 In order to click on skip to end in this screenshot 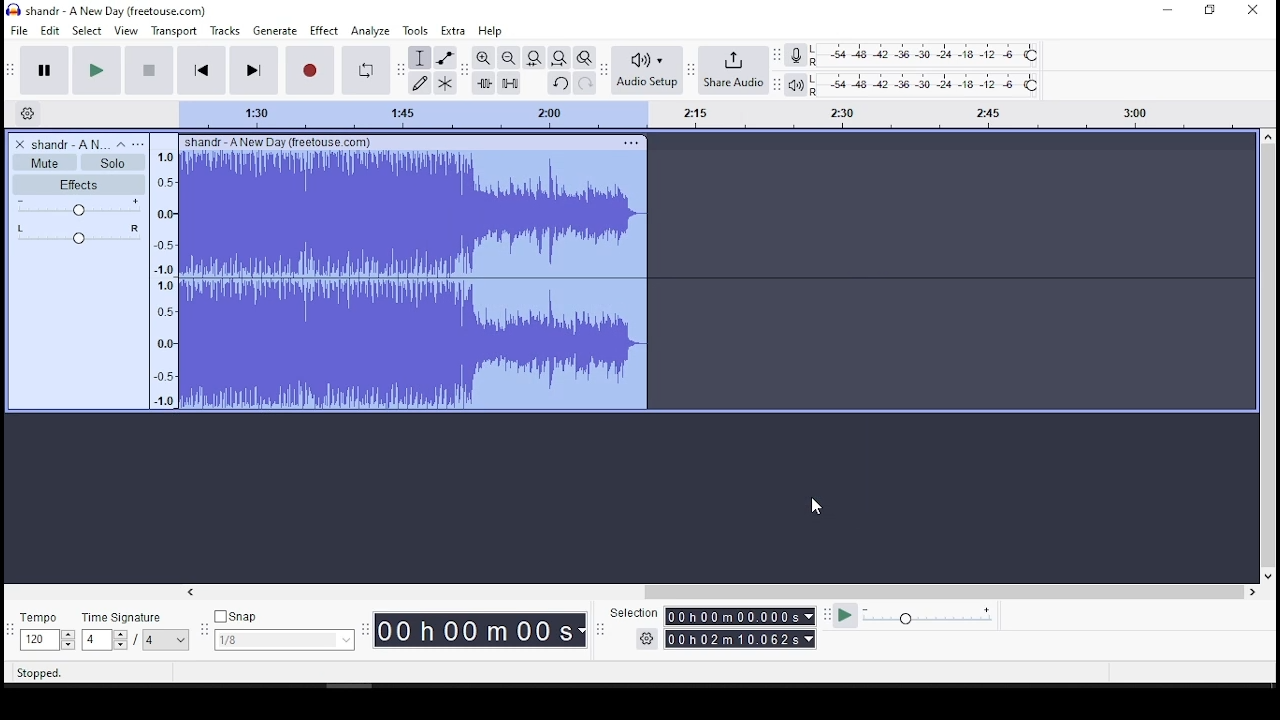, I will do `click(252, 70)`.